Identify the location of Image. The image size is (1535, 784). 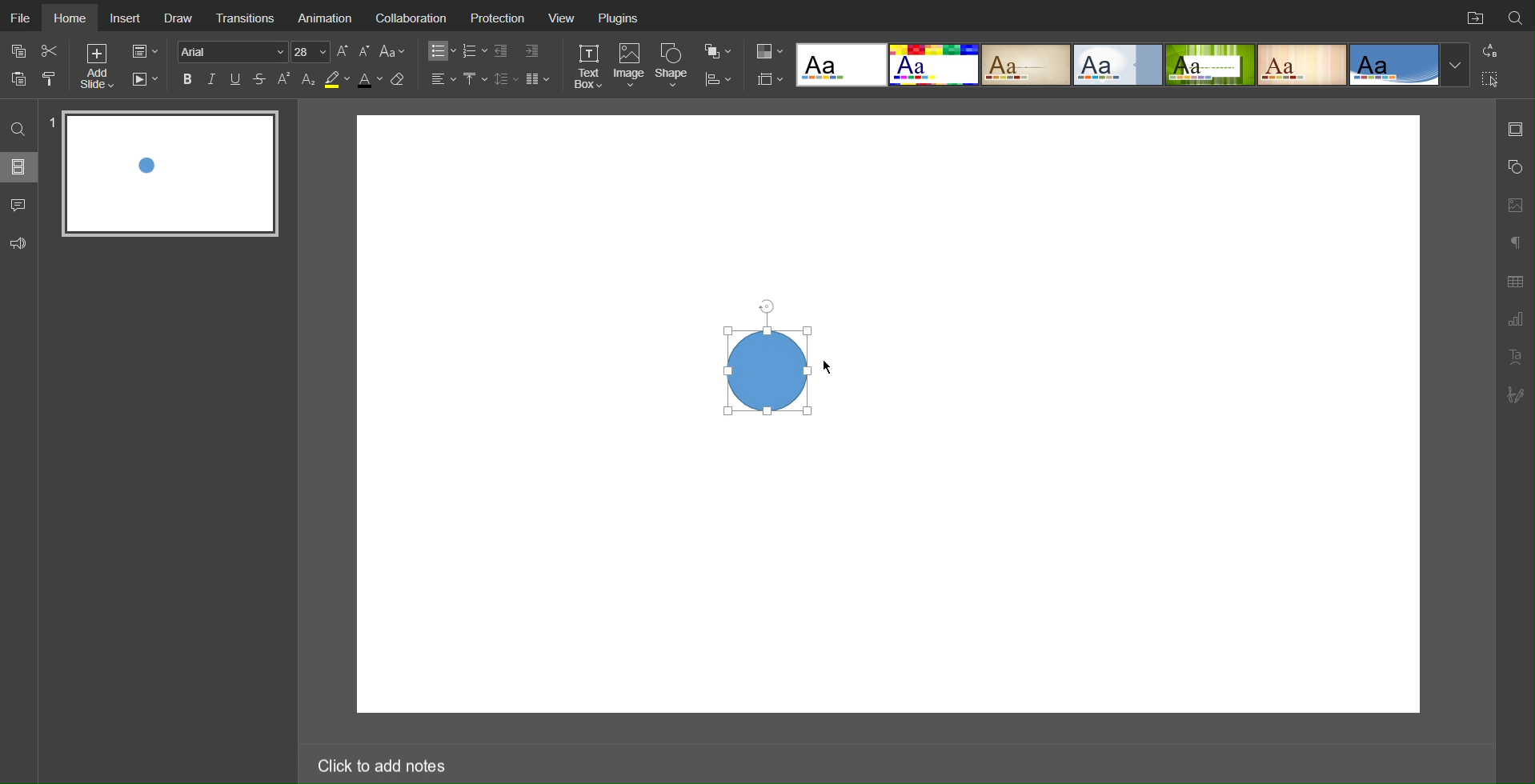
(631, 66).